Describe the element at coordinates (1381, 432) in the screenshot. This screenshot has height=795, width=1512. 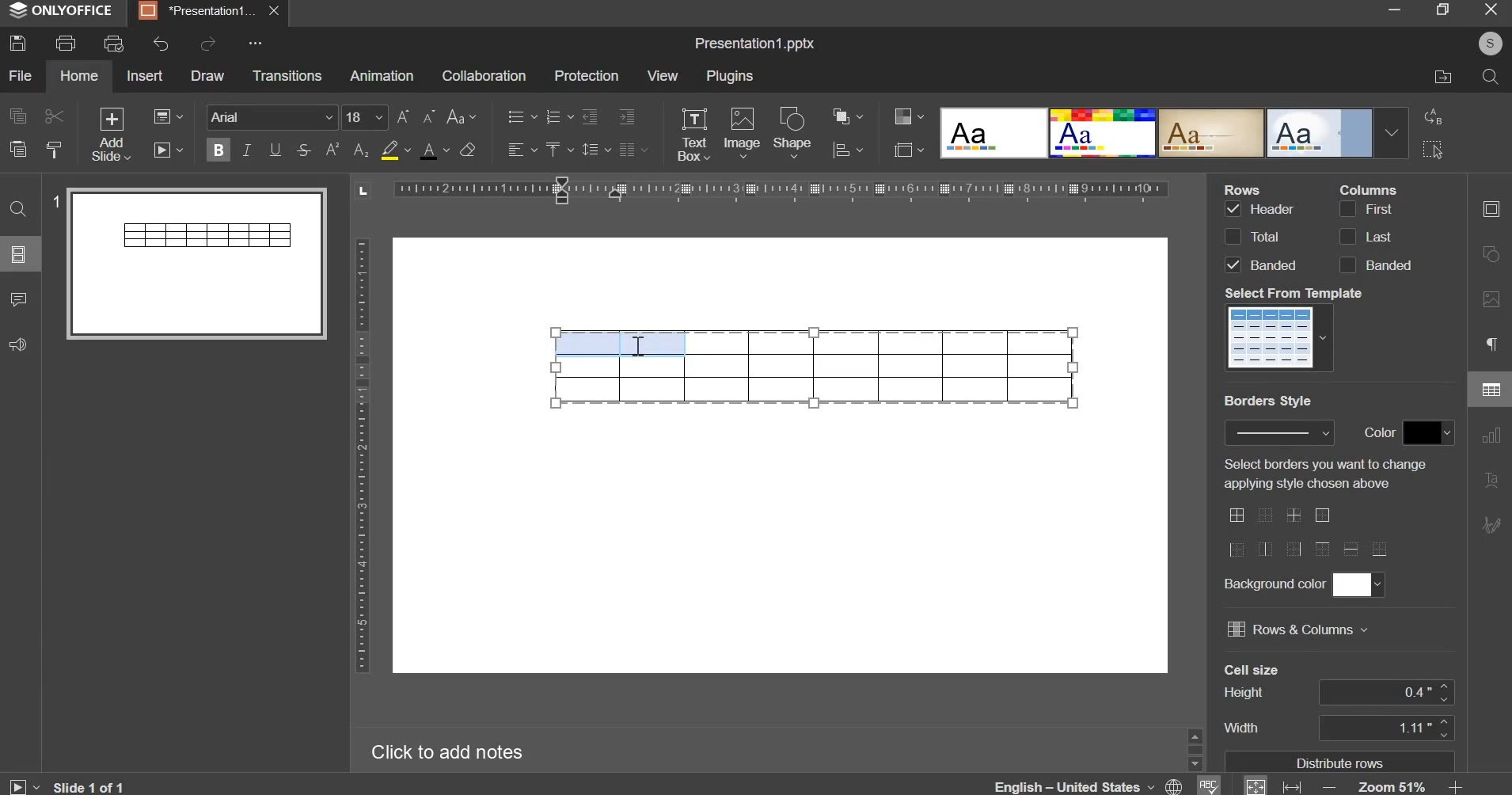
I see `Color` at that location.